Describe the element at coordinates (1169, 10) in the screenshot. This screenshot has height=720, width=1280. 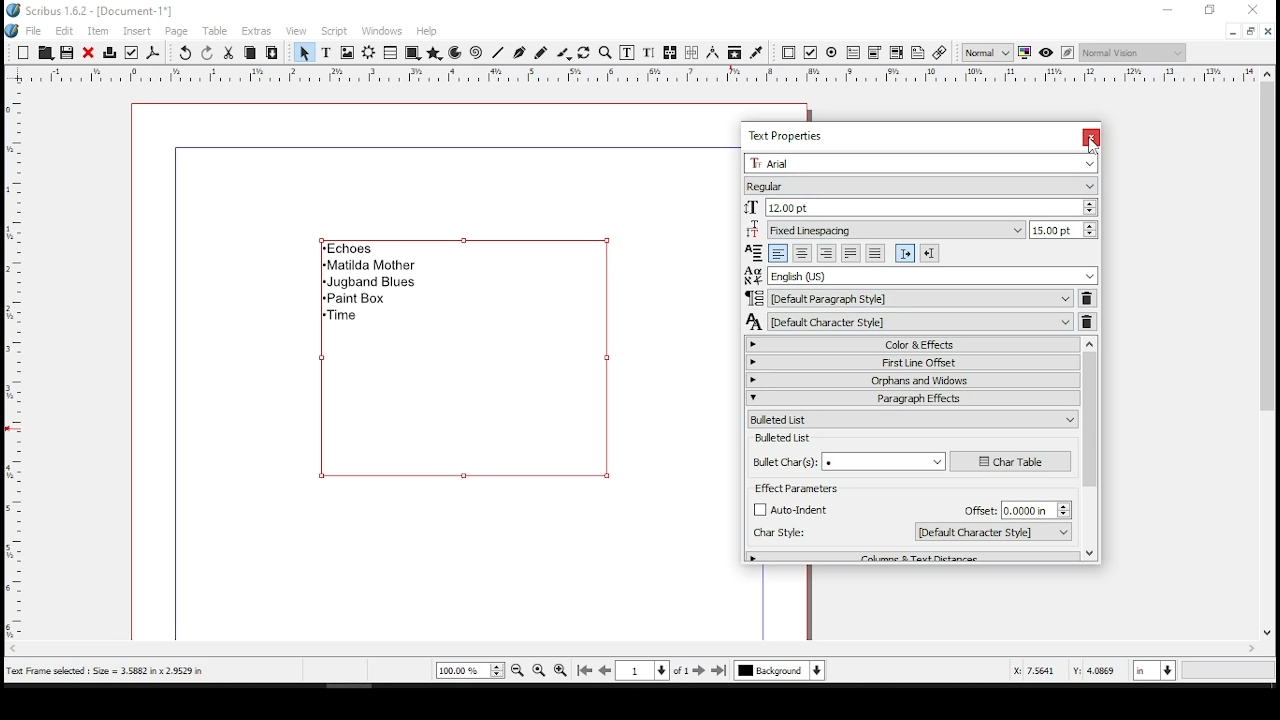
I see `minimize` at that location.